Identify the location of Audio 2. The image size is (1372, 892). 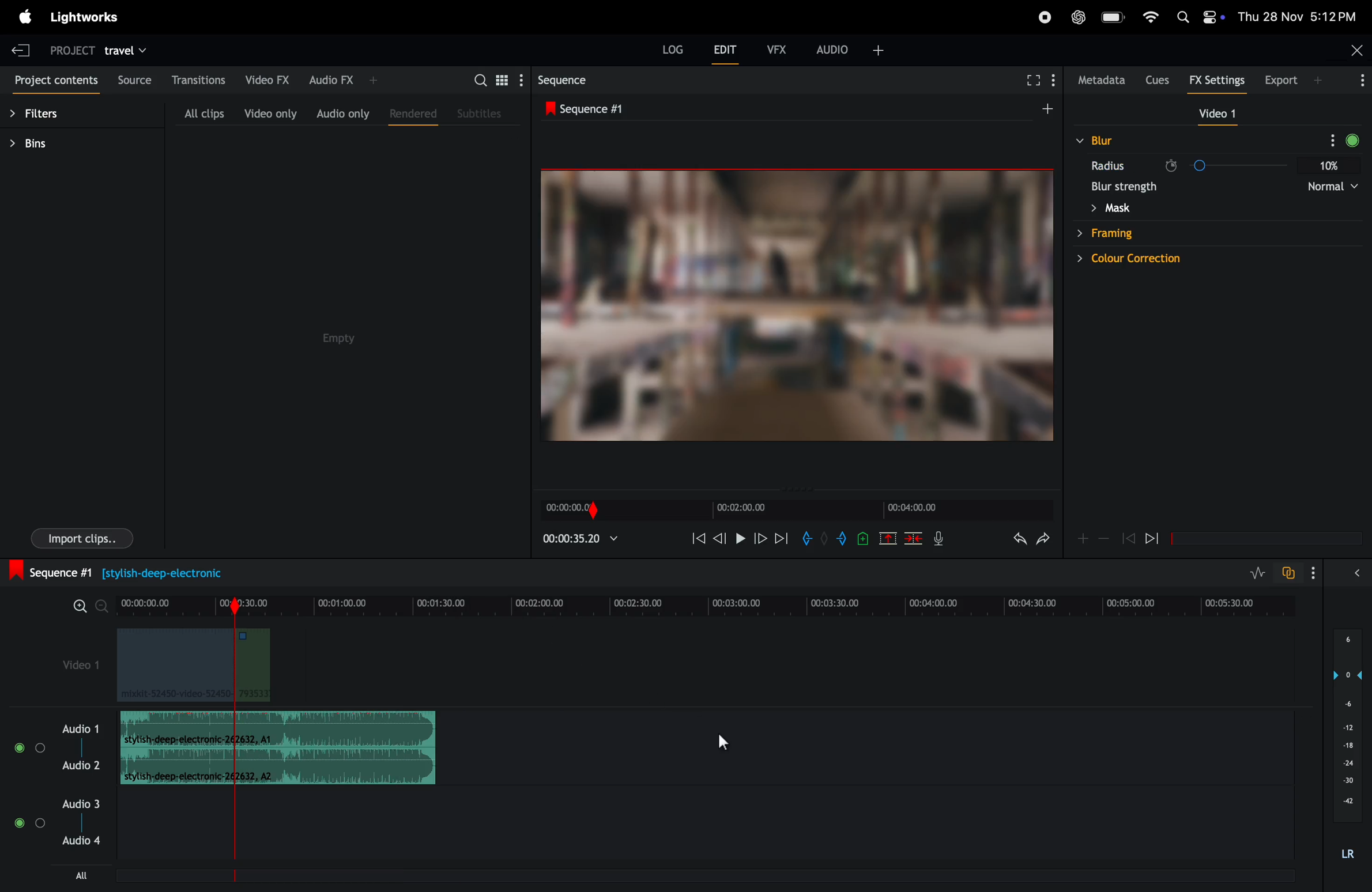
(82, 766).